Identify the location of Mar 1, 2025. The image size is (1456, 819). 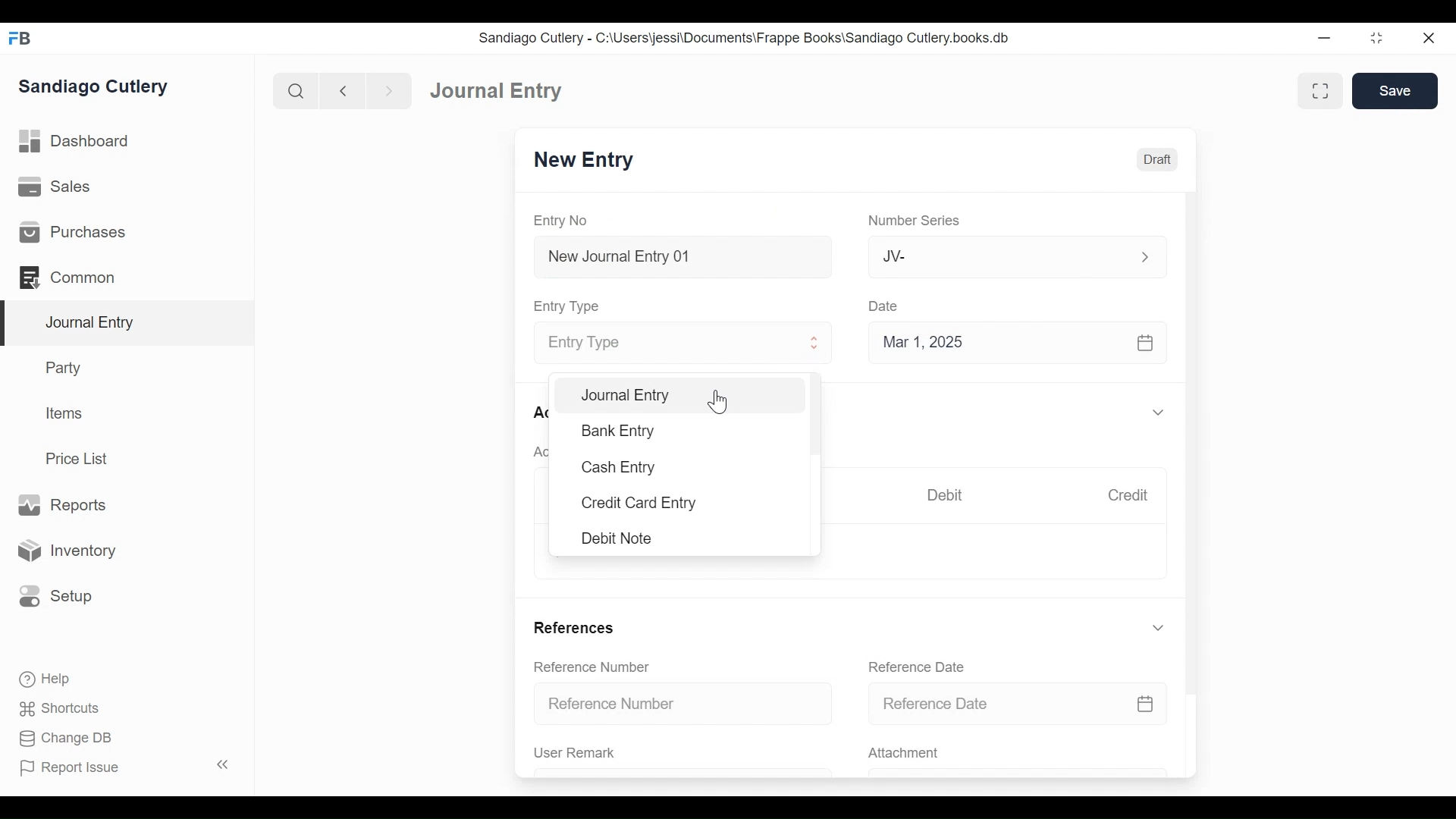
(1018, 341).